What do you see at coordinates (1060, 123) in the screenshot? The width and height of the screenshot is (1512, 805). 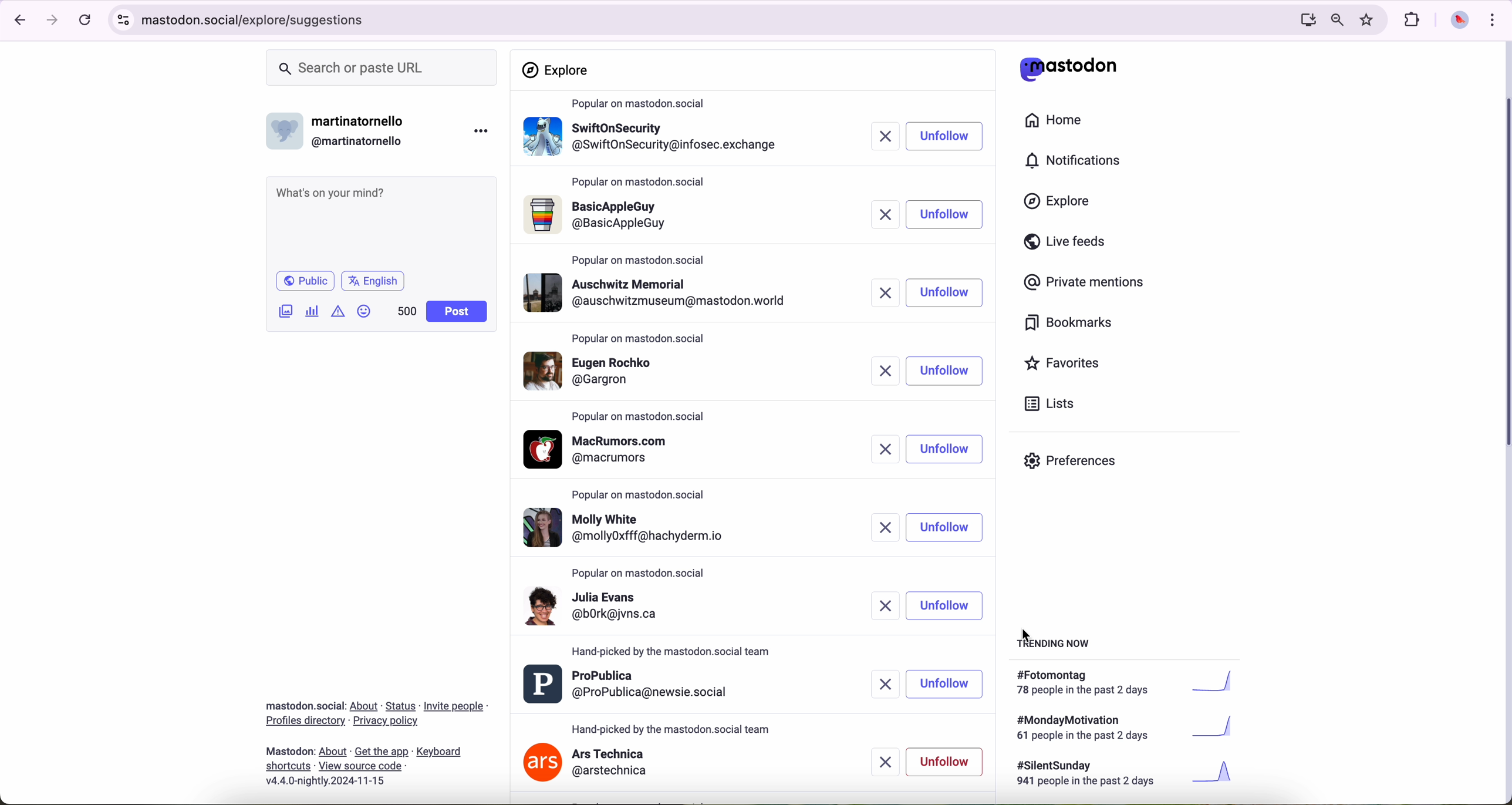 I see `home` at bounding box center [1060, 123].